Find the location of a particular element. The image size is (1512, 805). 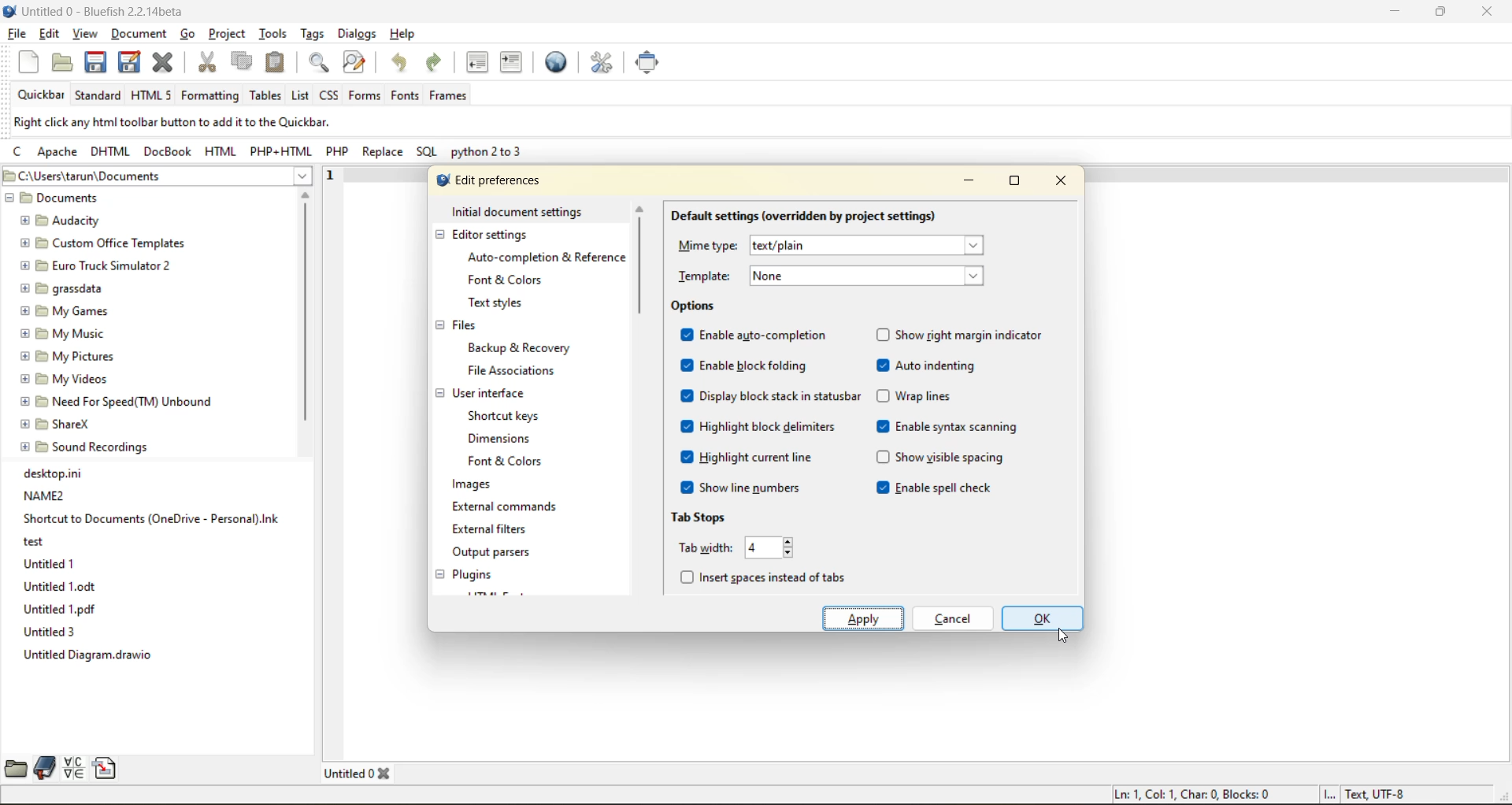

highlight current line is located at coordinates (747, 457).